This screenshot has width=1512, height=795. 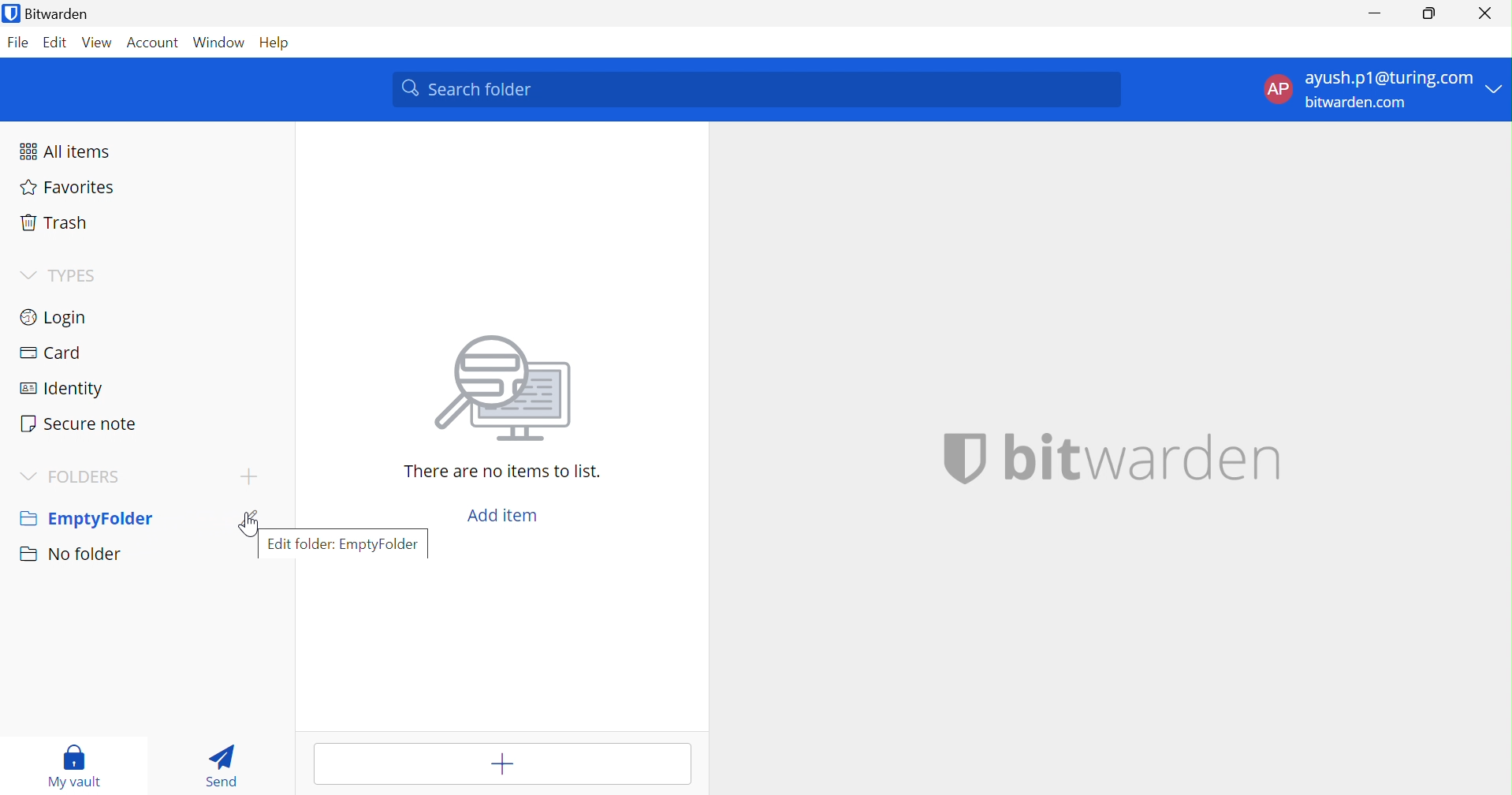 What do you see at coordinates (1485, 14) in the screenshot?
I see `Close` at bounding box center [1485, 14].